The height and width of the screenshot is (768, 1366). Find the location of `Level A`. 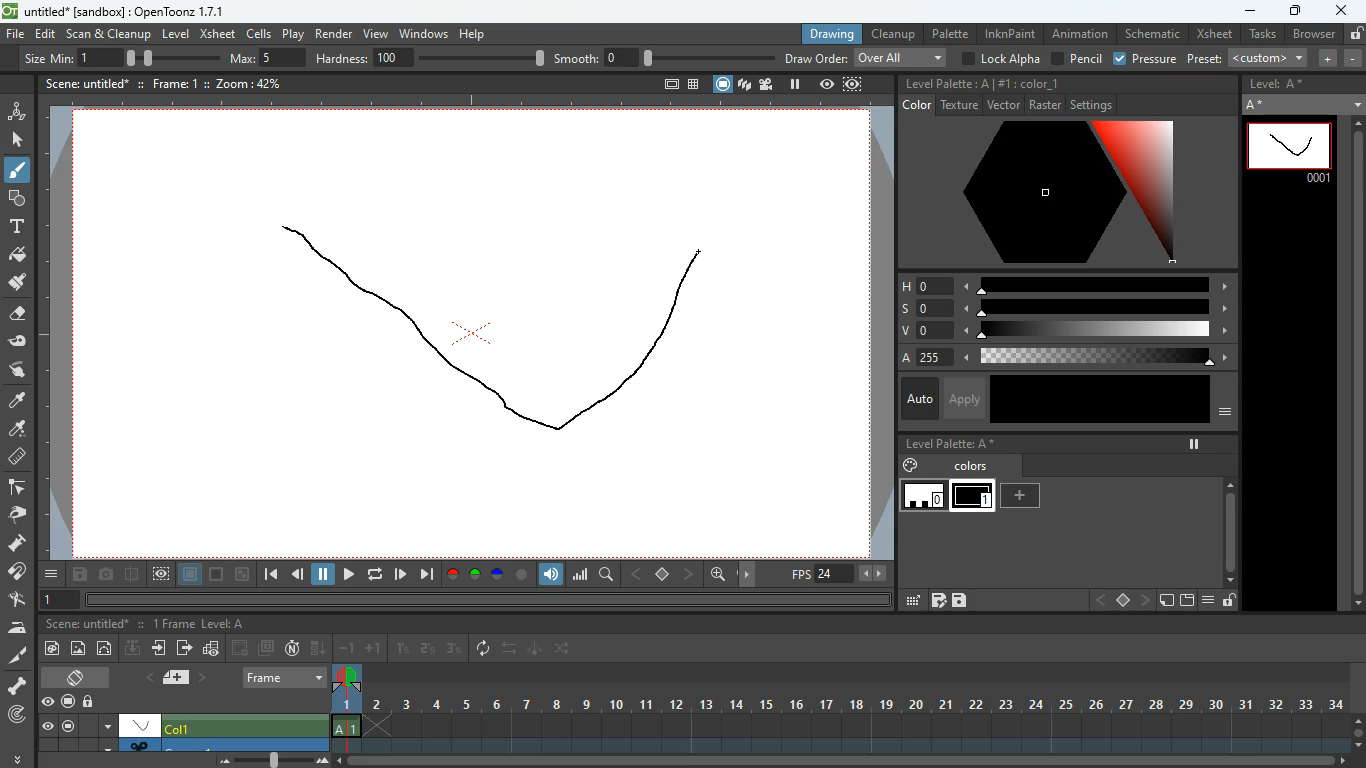

Level A is located at coordinates (223, 624).